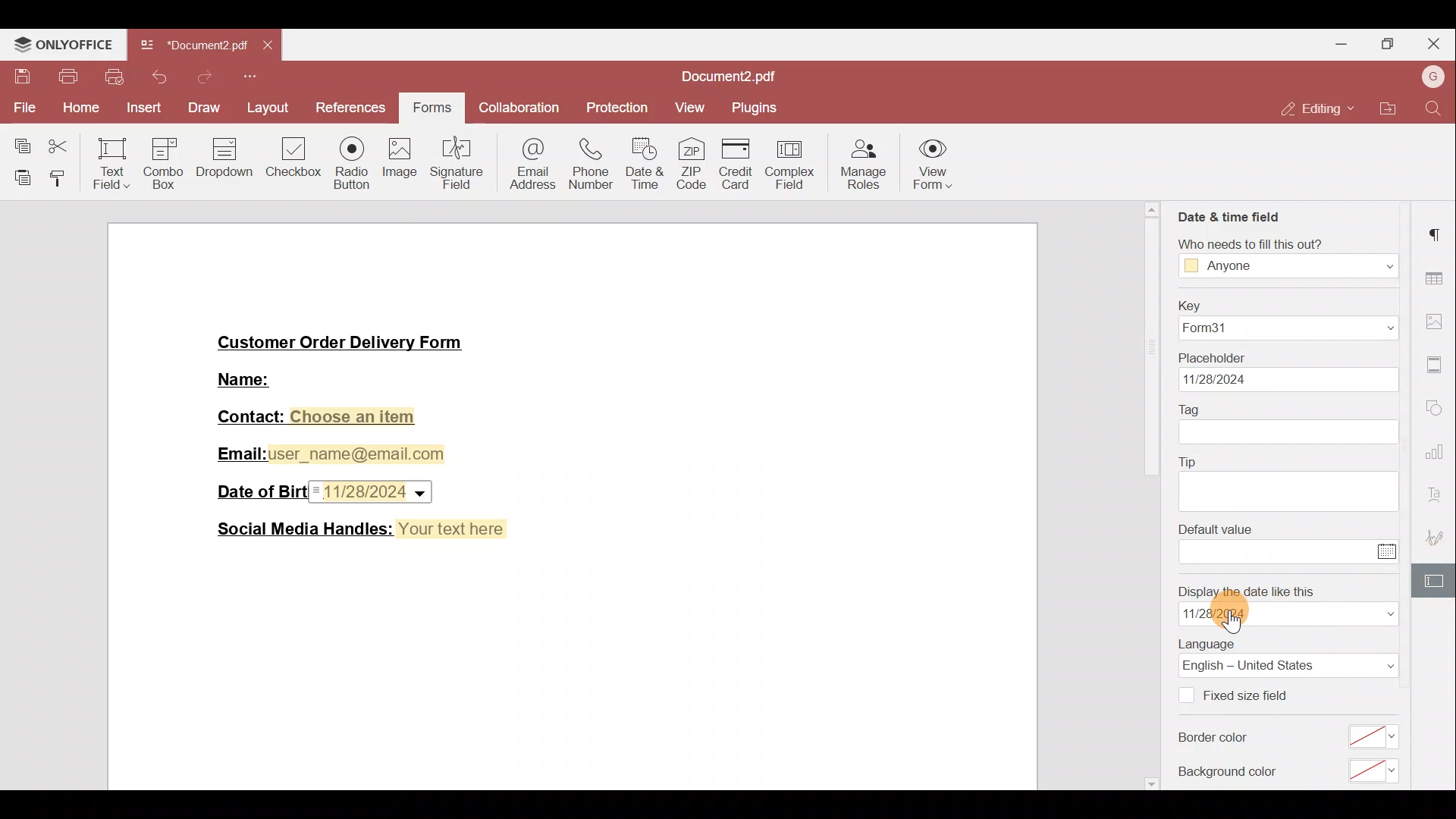 This screenshot has width=1456, height=819. I want to click on Background color, so click(1227, 770).